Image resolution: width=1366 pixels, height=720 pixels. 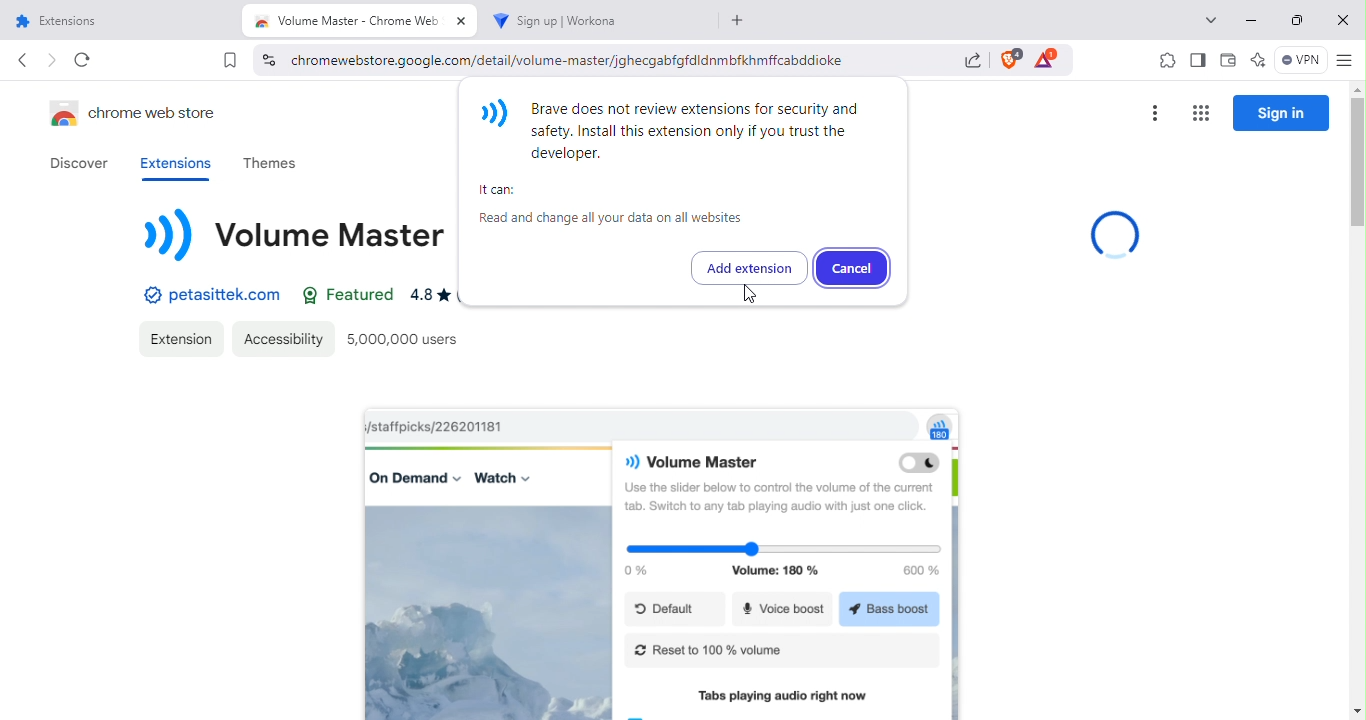 What do you see at coordinates (20, 59) in the screenshot?
I see `click to go back ` at bounding box center [20, 59].